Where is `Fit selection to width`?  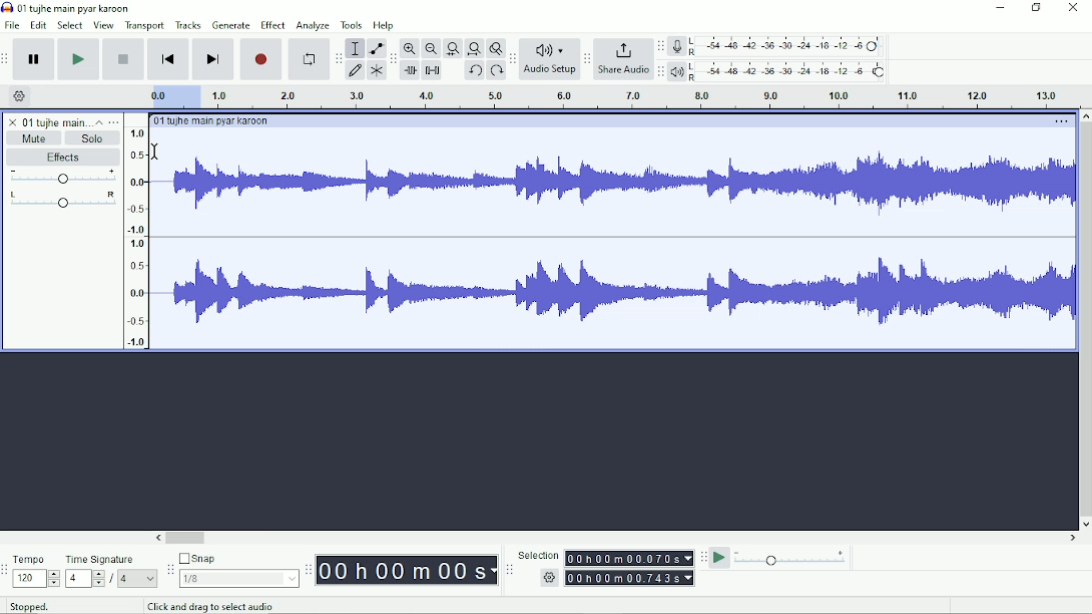
Fit selection to width is located at coordinates (453, 50).